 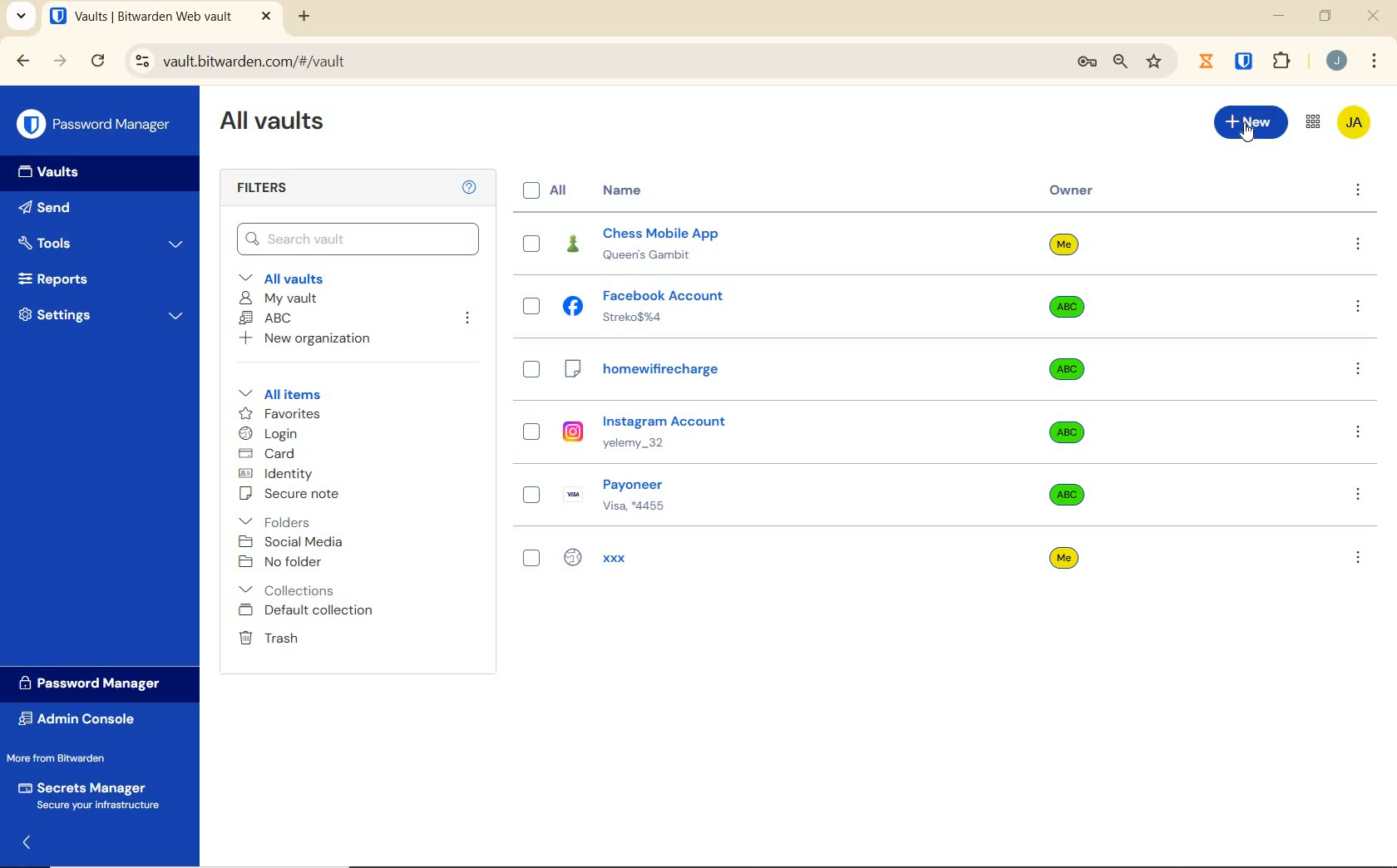 What do you see at coordinates (1251, 122) in the screenshot?
I see `new` at bounding box center [1251, 122].